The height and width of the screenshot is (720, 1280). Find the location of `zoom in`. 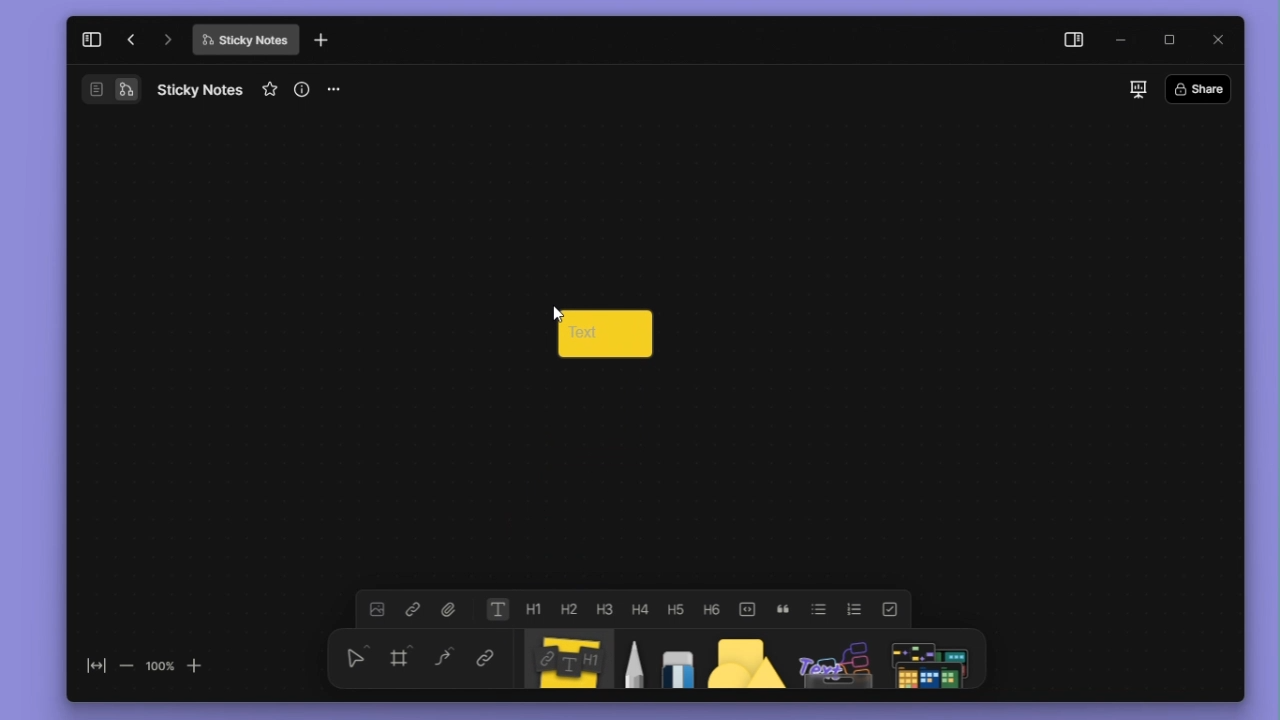

zoom in is located at coordinates (201, 665).